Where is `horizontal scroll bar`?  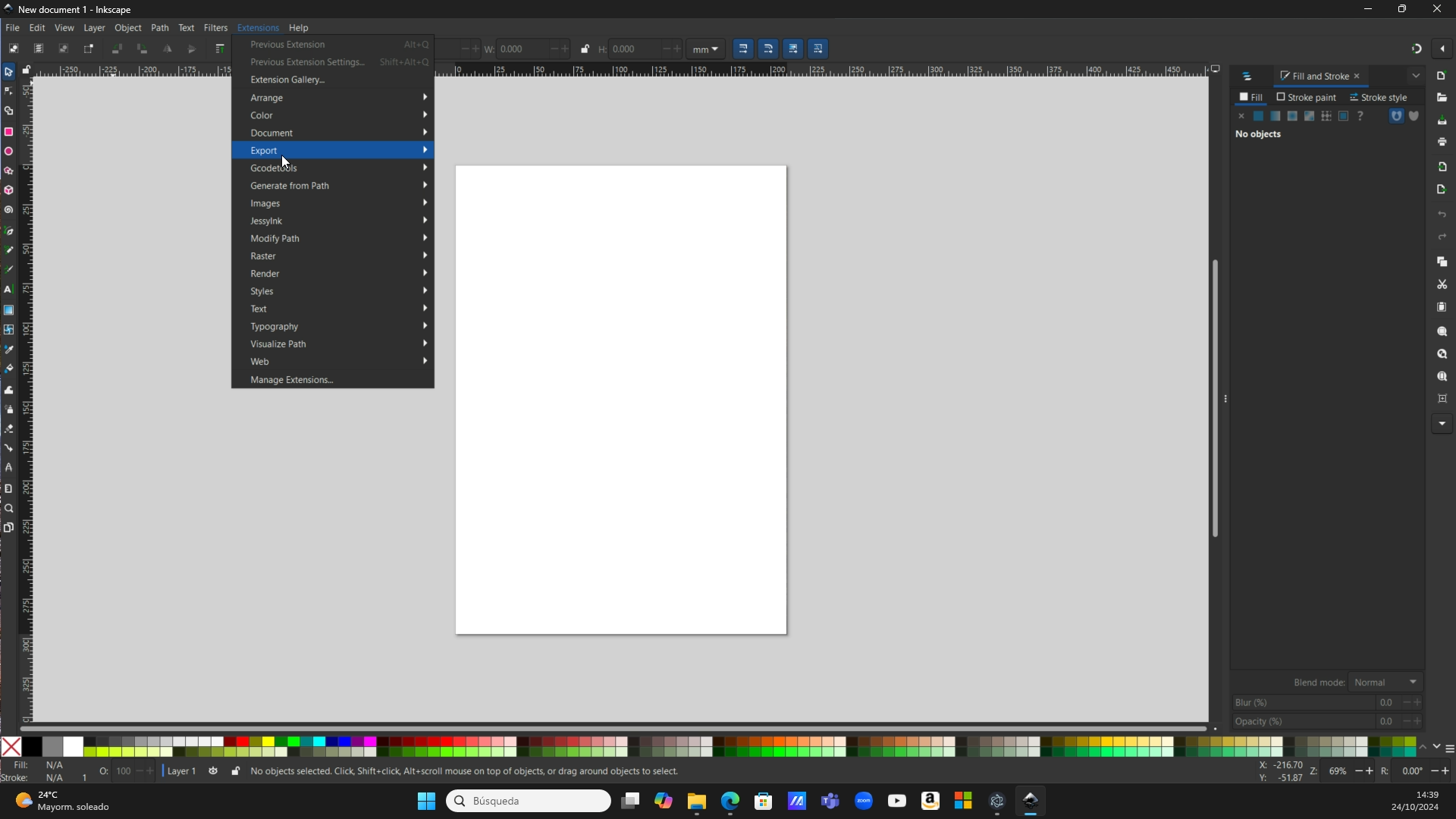
horizontal scroll bar is located at coordinates (617, 726).